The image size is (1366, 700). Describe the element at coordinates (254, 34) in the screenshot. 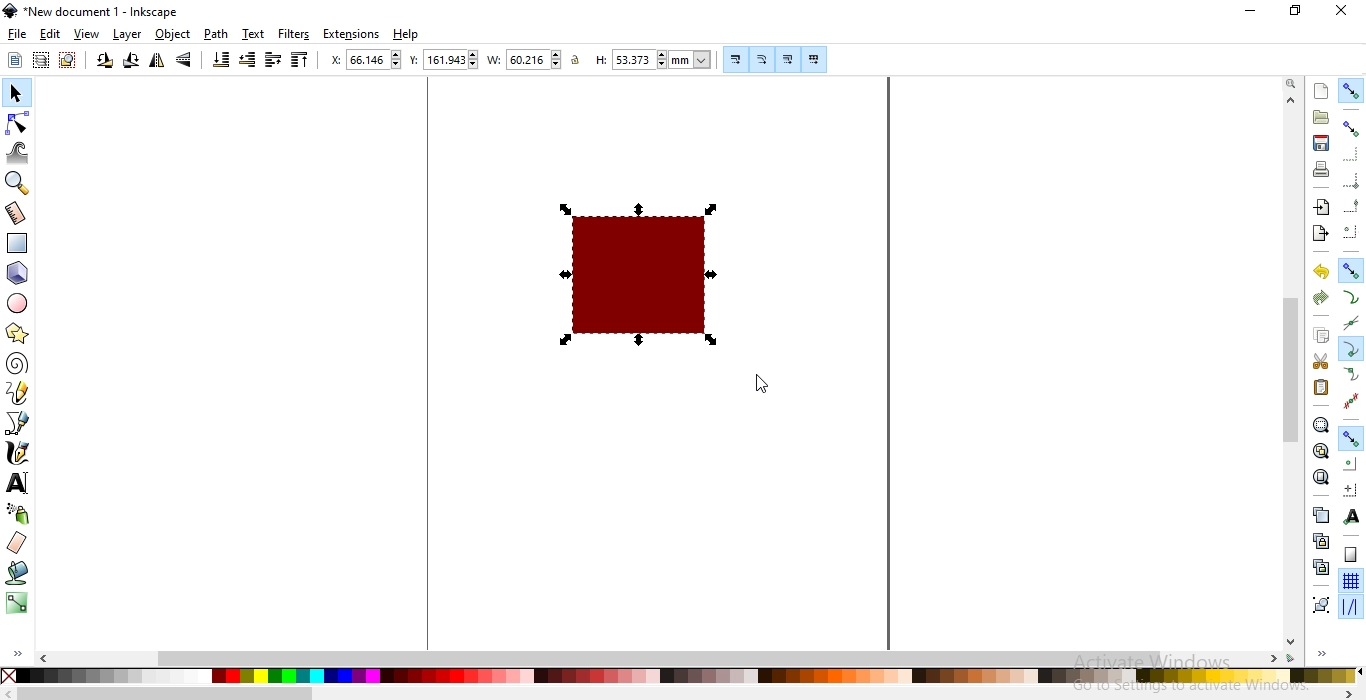

I see `text` at that location.